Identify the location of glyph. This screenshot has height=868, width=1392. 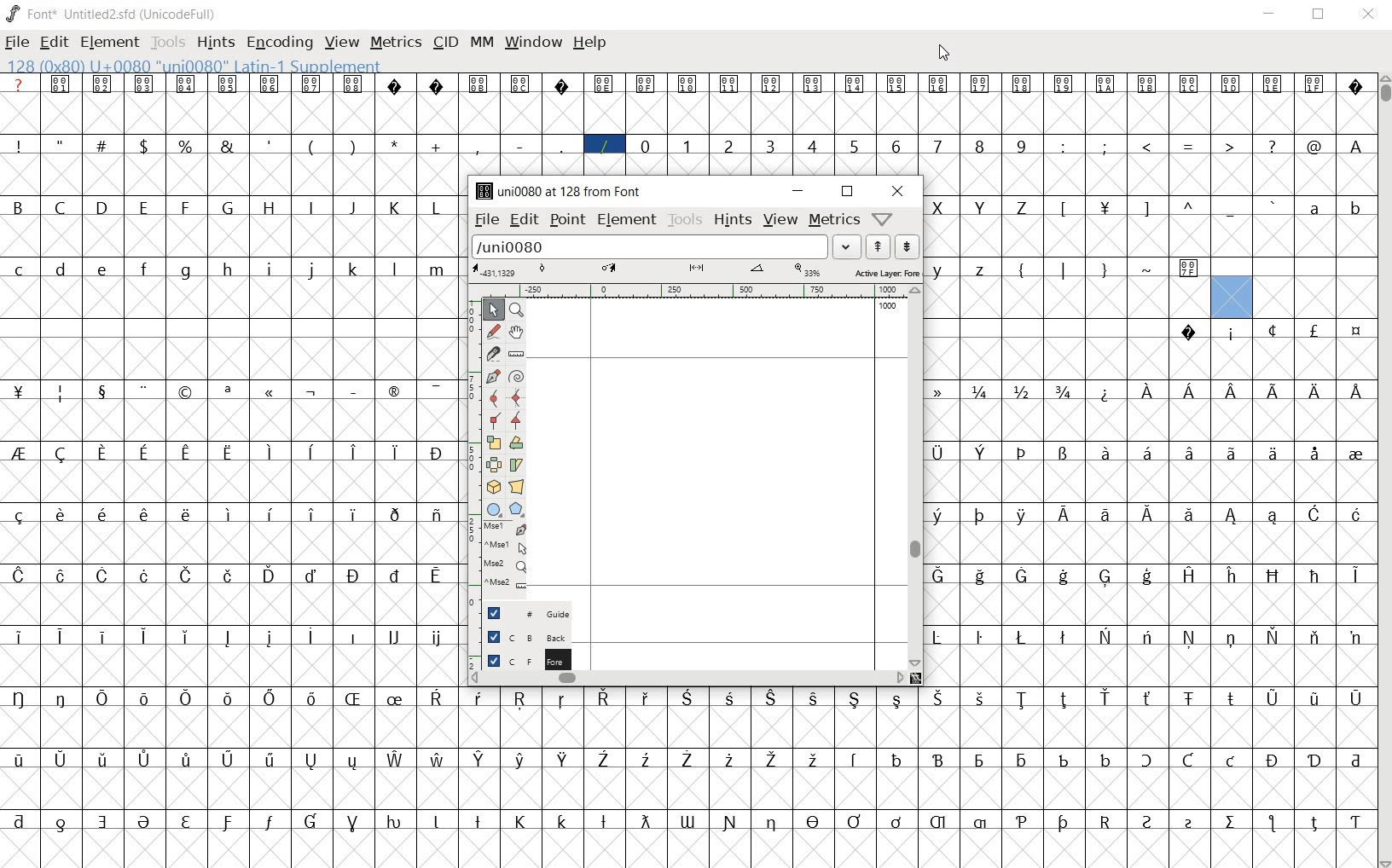
(687, 759).